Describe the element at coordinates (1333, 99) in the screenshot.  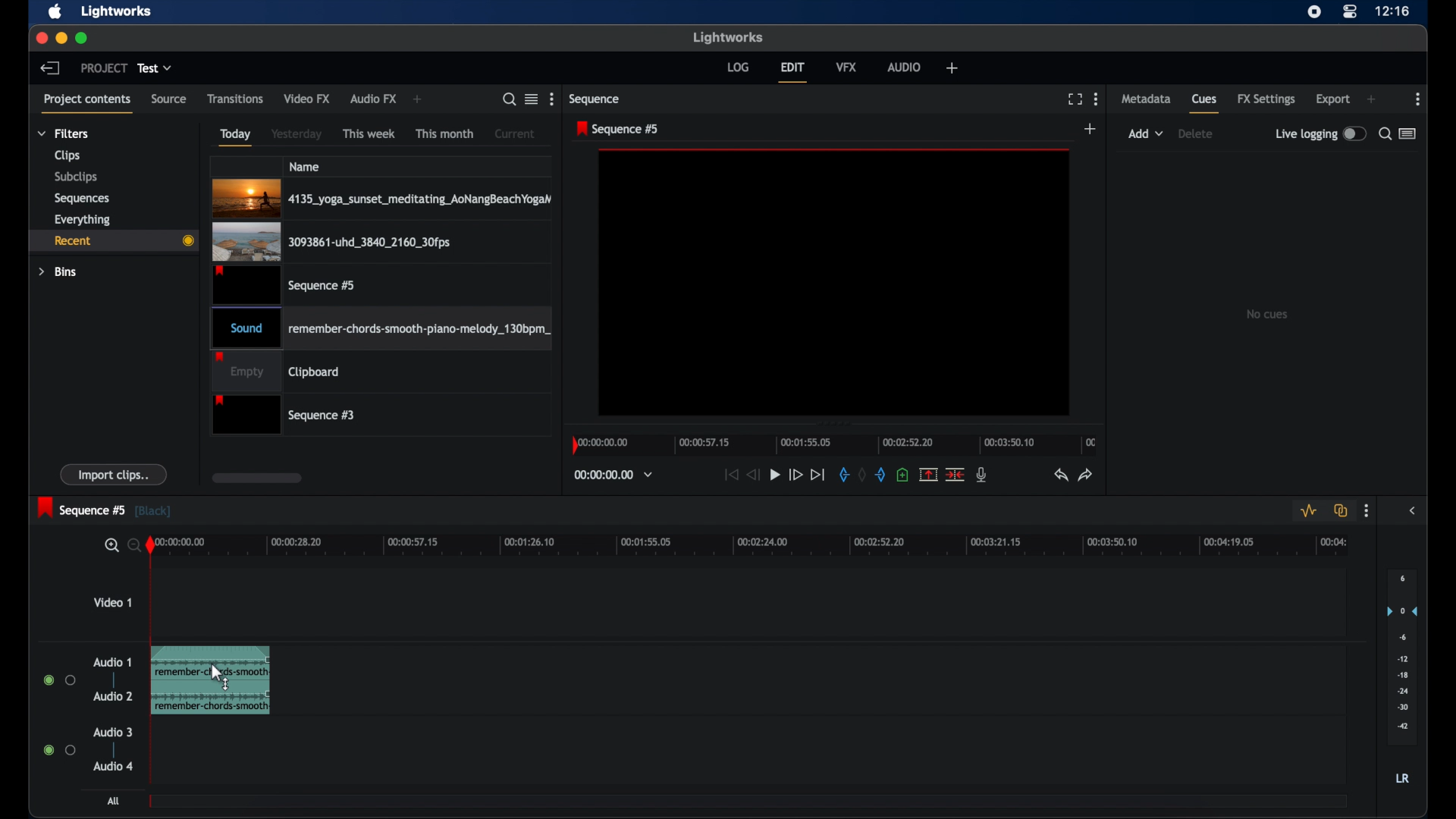
I see `export` at that location.